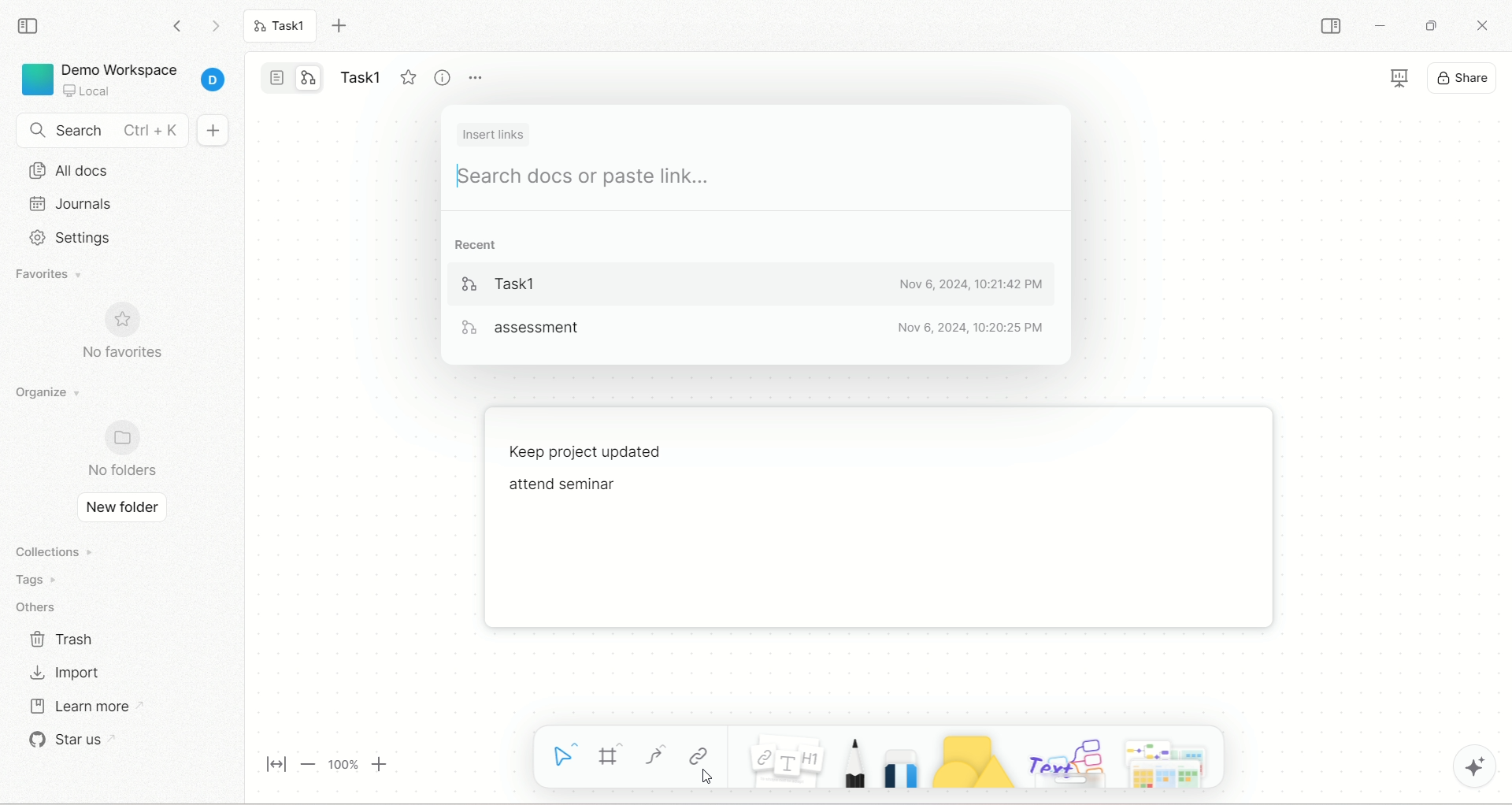  I want to click on title, so click(358, 73).